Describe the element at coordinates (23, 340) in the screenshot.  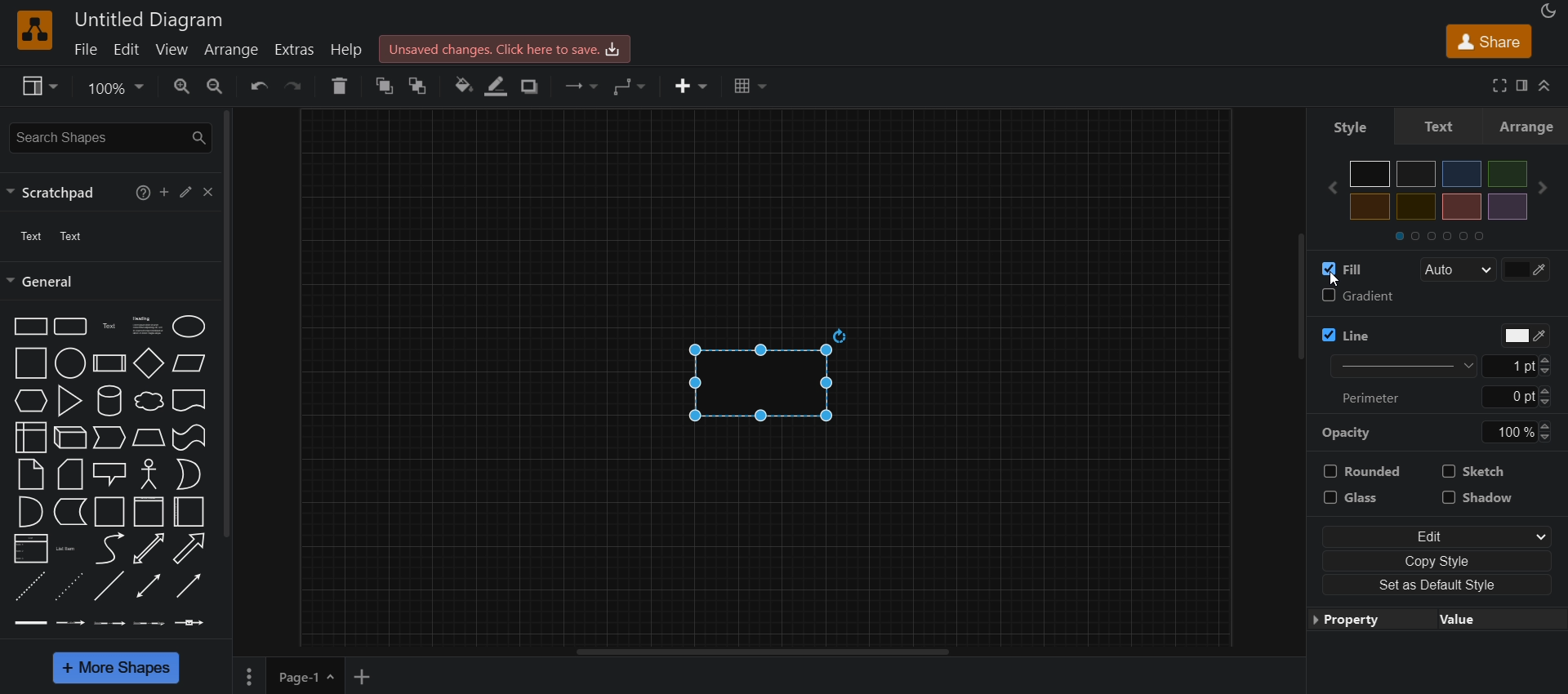
I see `cursor` at that location.